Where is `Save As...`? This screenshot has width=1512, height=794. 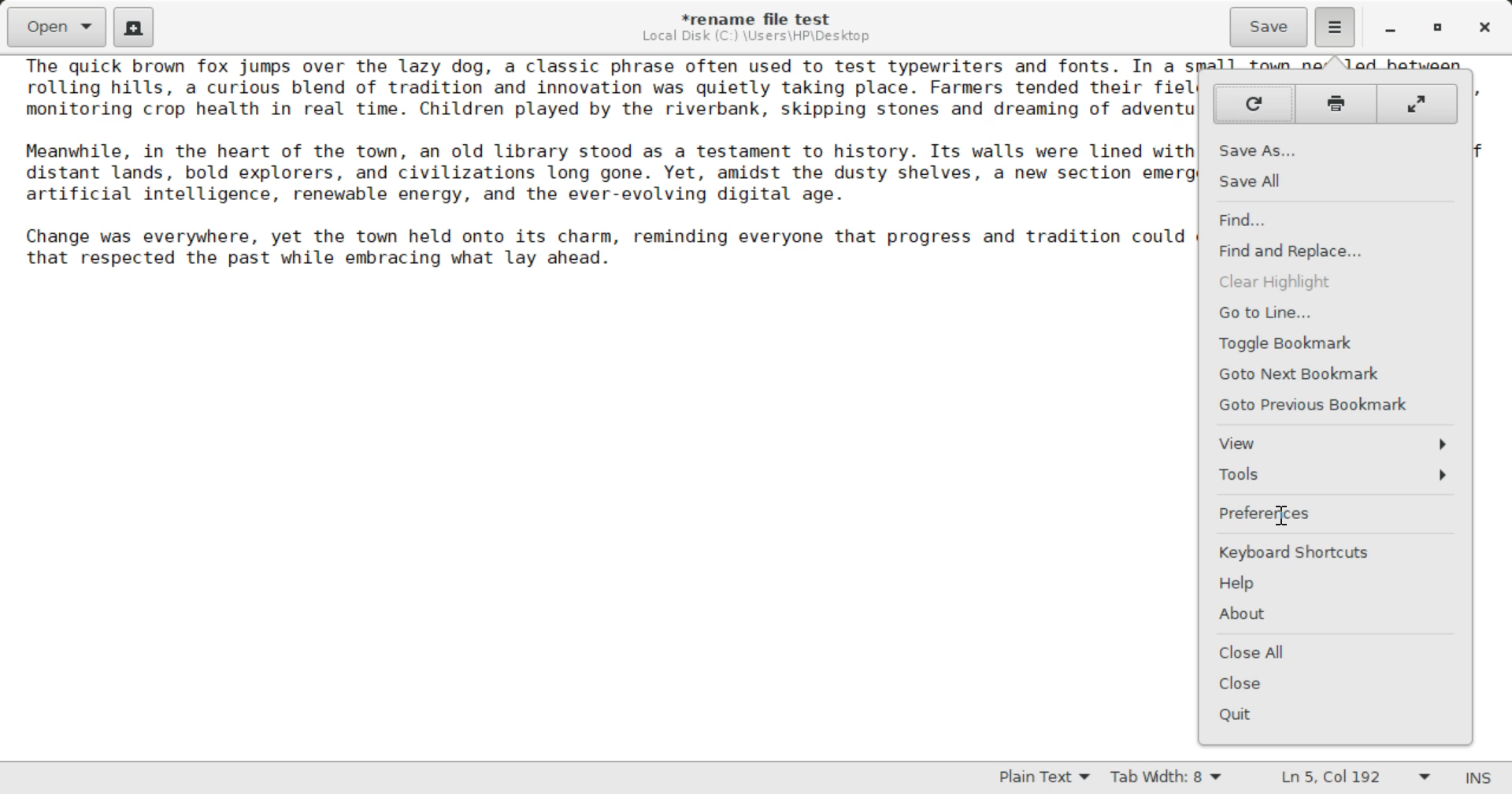 Save As... is located at coordinates (1333, 151).